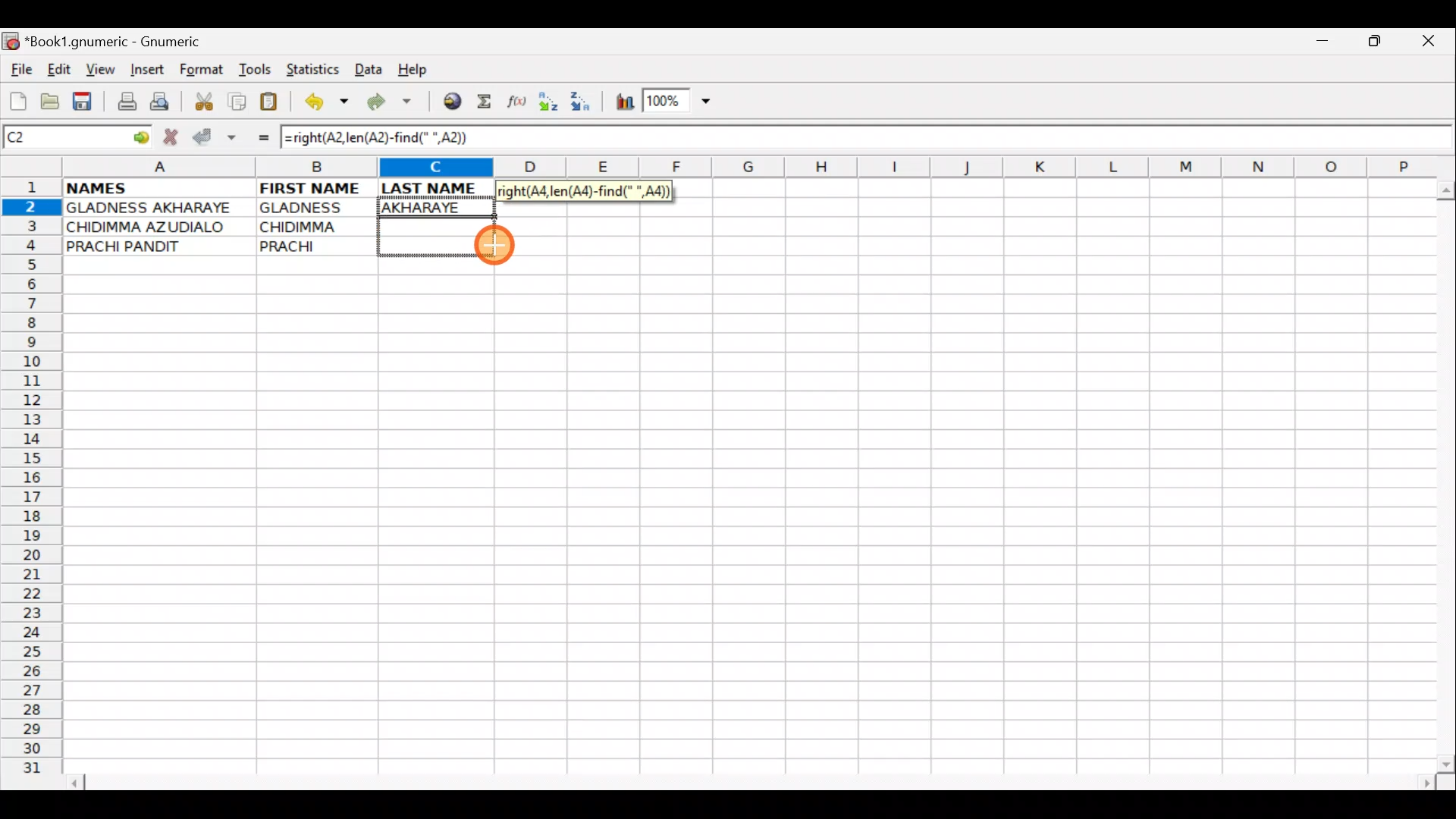 Image resolution: width=1456 pixels, height=819 pixels. What do you see at coordinates (489, 102) in the screenshot?
I see `Sum in the current cell` at bounding box center [489, 102].